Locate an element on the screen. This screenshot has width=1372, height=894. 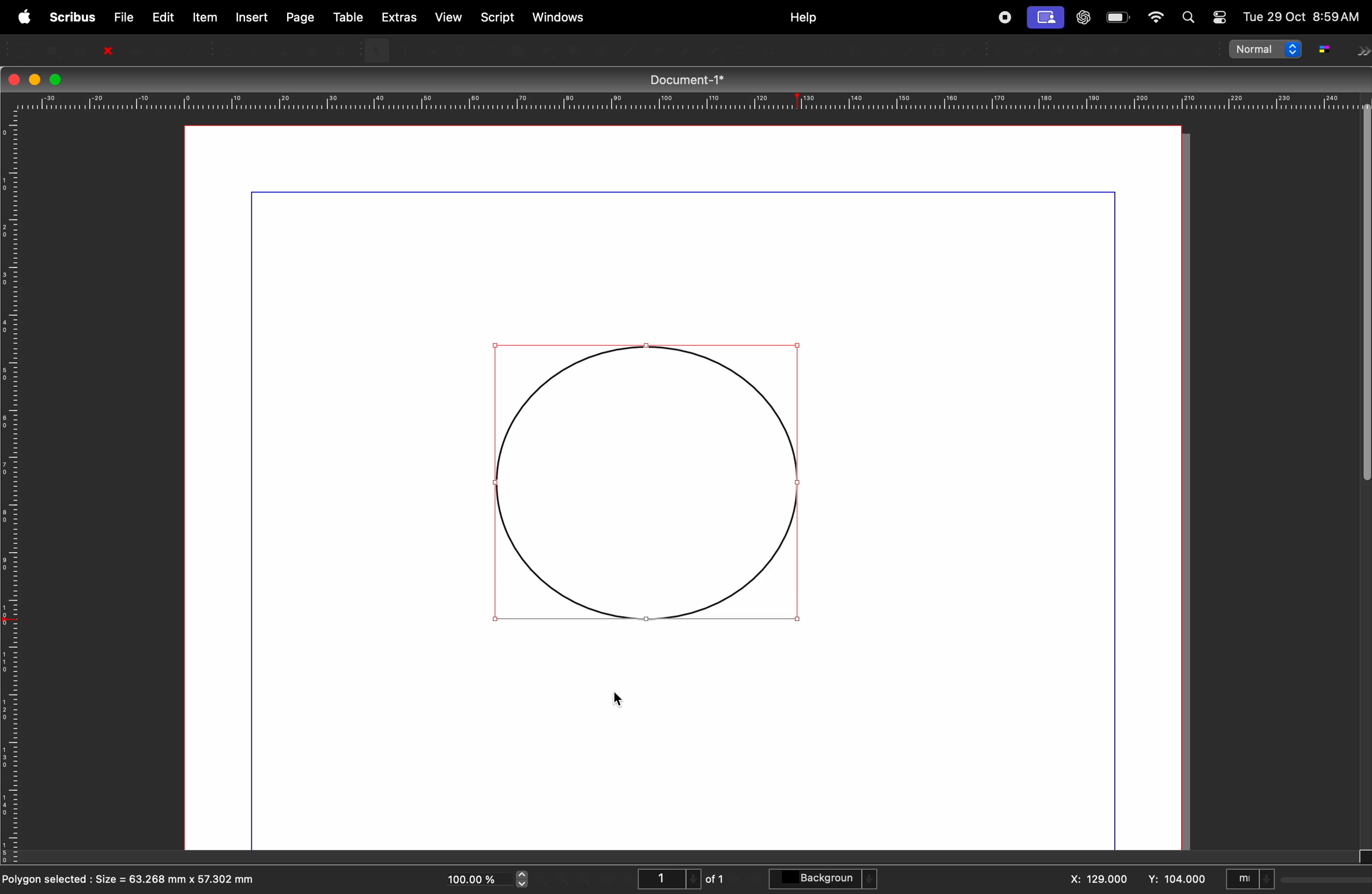
freehand line is located at coordinates (717, 50).